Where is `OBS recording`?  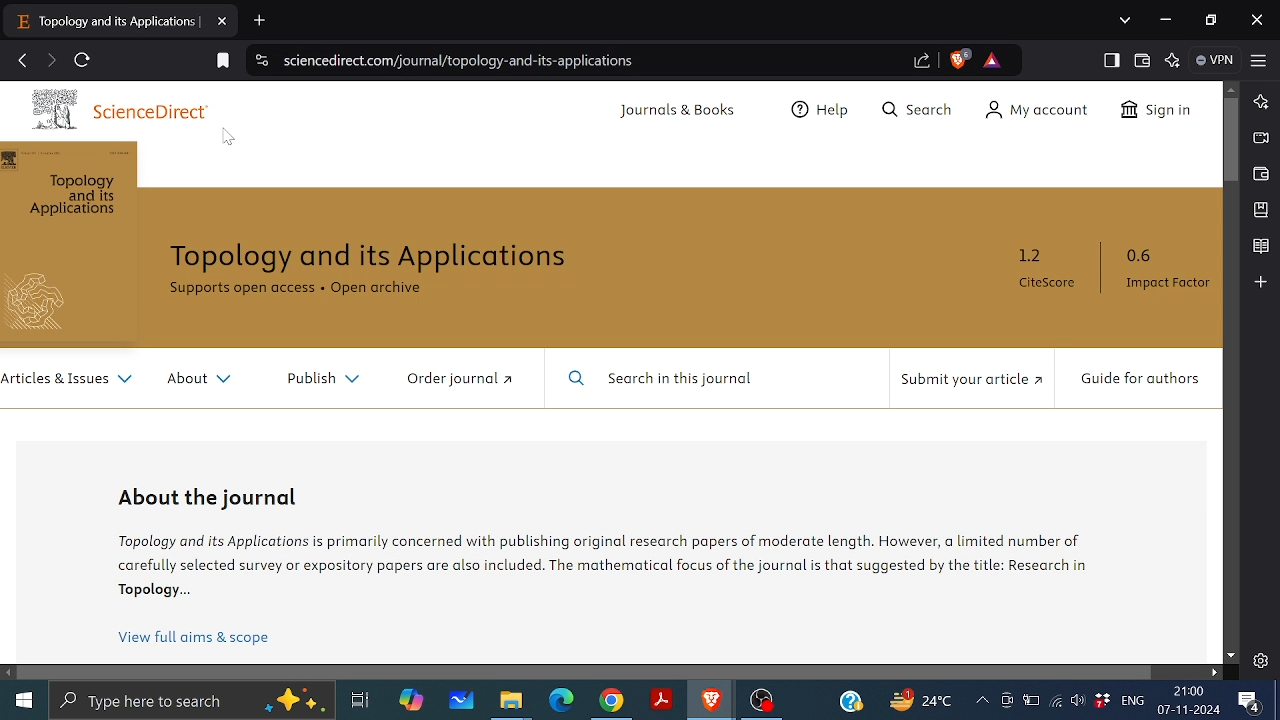 OBS recording is located at coordinates (762, 701).